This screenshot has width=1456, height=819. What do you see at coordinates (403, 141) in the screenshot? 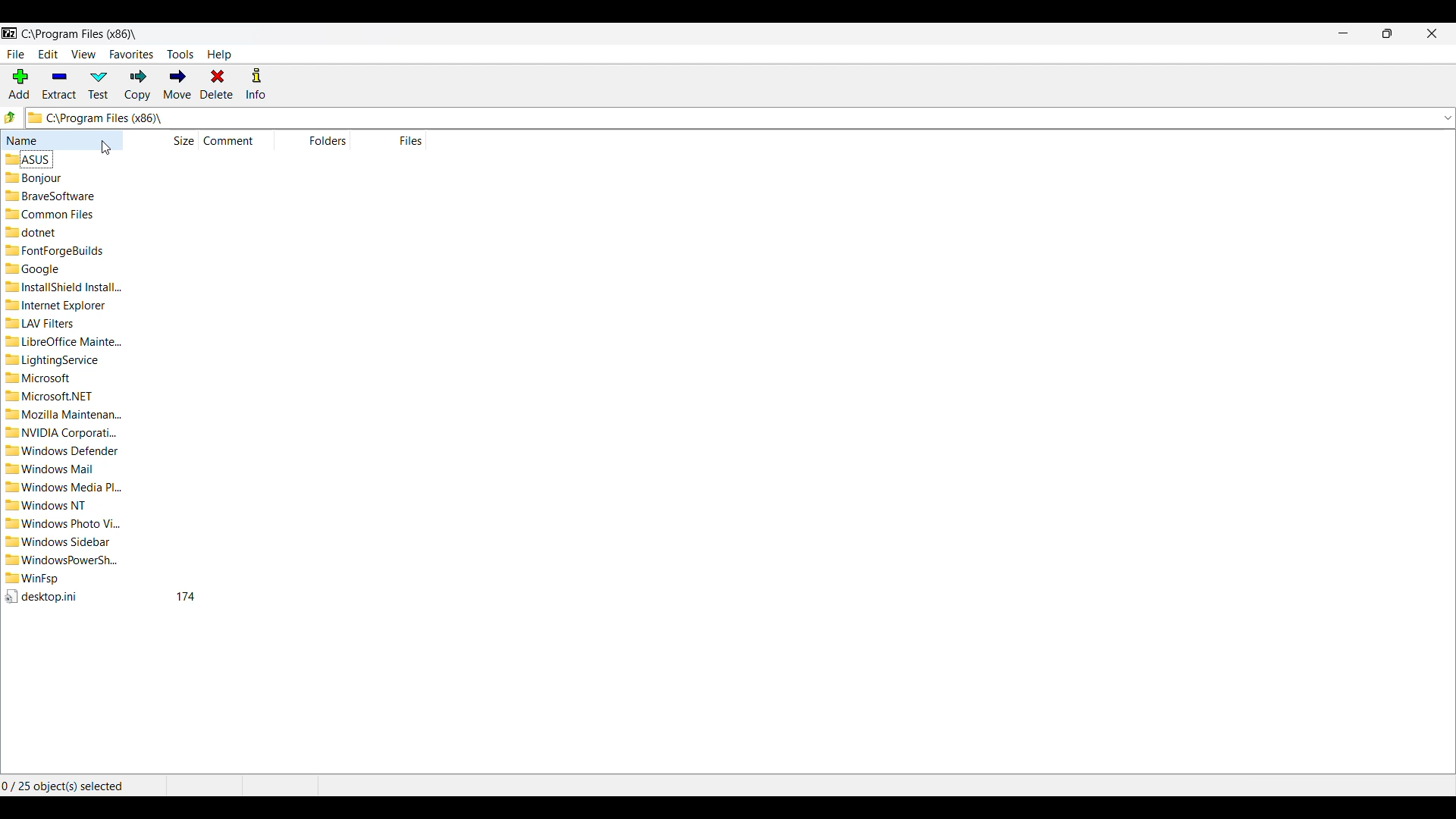
I see `Files column` at bounding box center [403, 141].